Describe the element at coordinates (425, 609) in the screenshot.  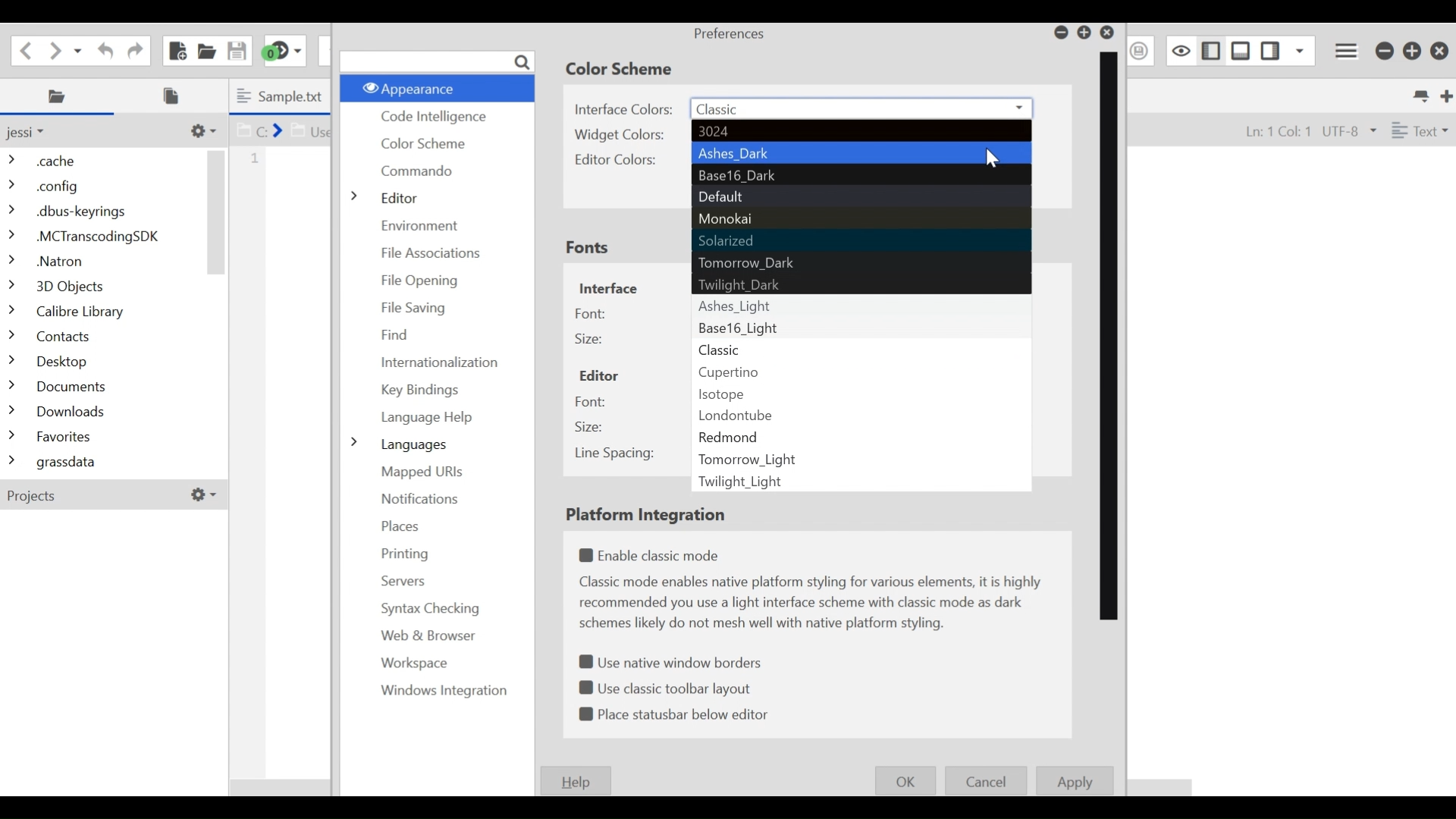
I see `Syntax Checking` at that location.